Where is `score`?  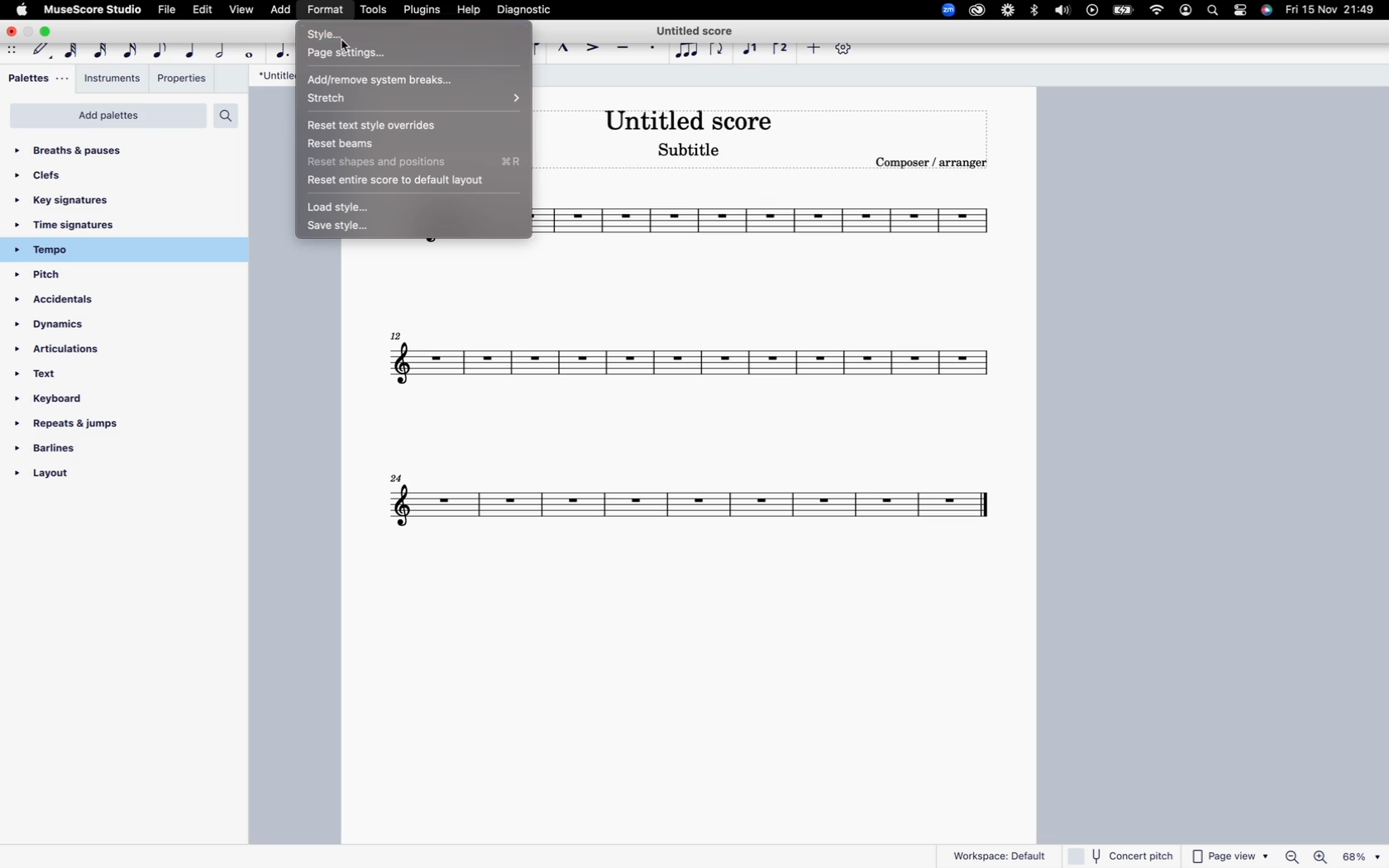
score is located at coordinates (696, 225).